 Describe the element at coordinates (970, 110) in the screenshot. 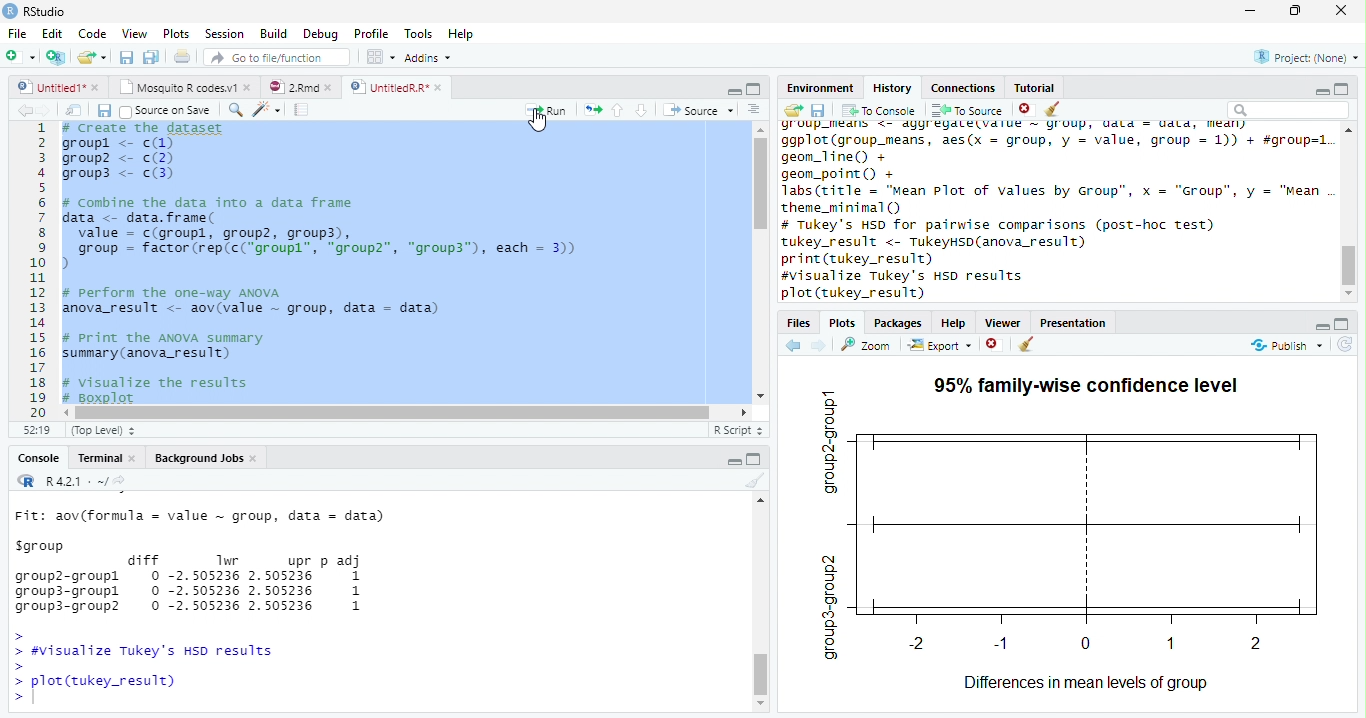

I see `To source` at that location.